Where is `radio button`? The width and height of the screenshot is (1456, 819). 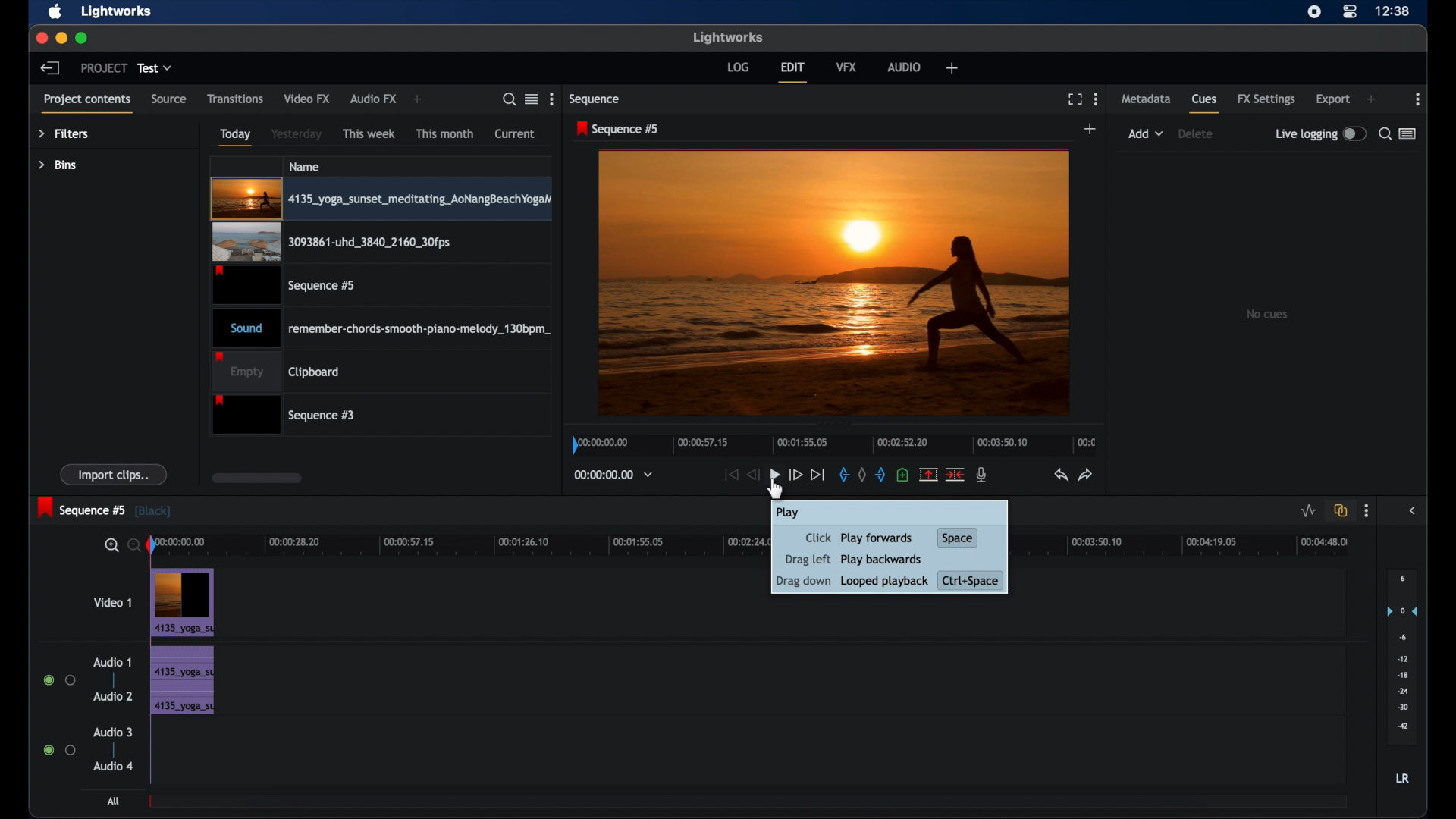 radio button is located at coordinates (58, 679).